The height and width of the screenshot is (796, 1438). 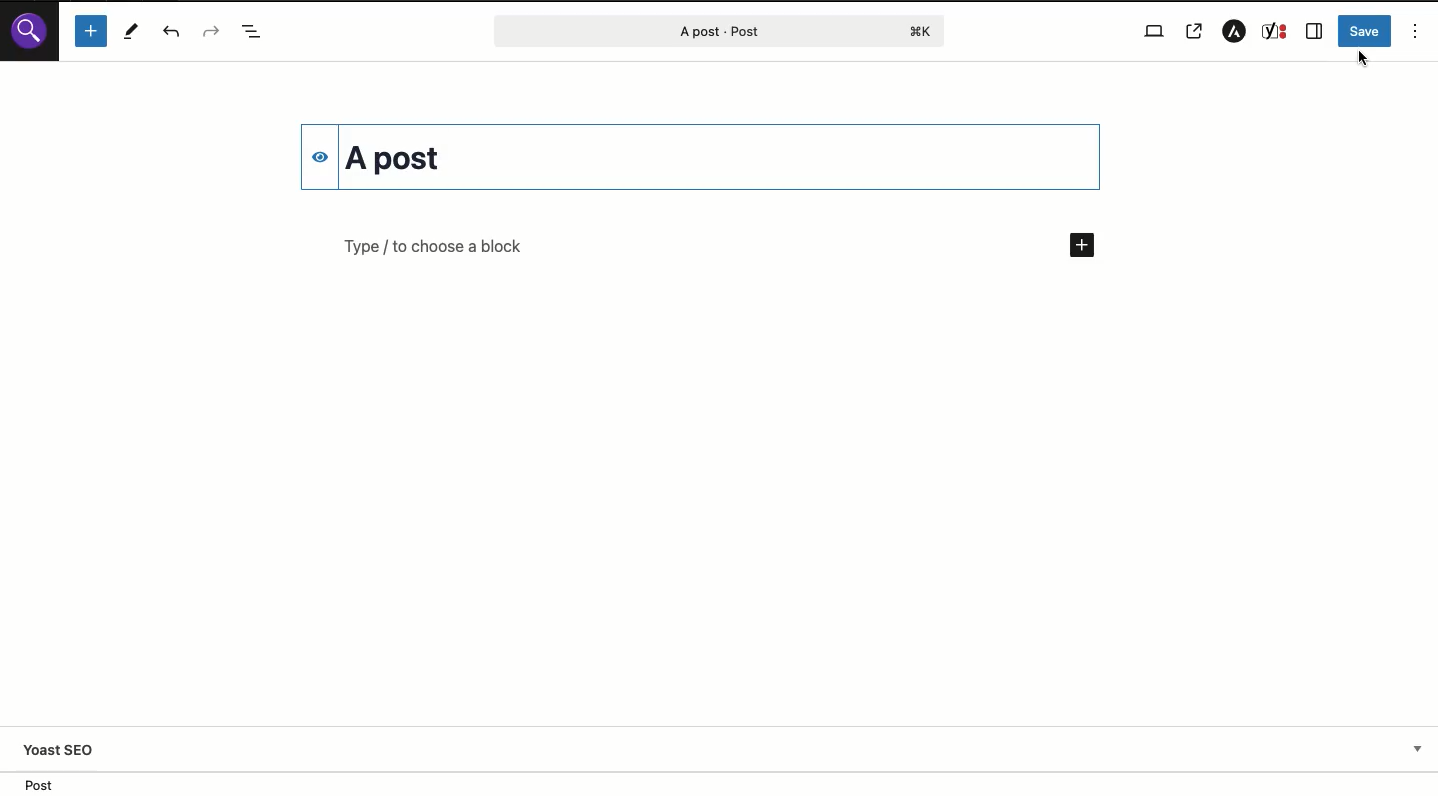 What do you see at coordinates (1416, 30) in the screenshot?
I see `Options` at bounding box center [1416, 30].